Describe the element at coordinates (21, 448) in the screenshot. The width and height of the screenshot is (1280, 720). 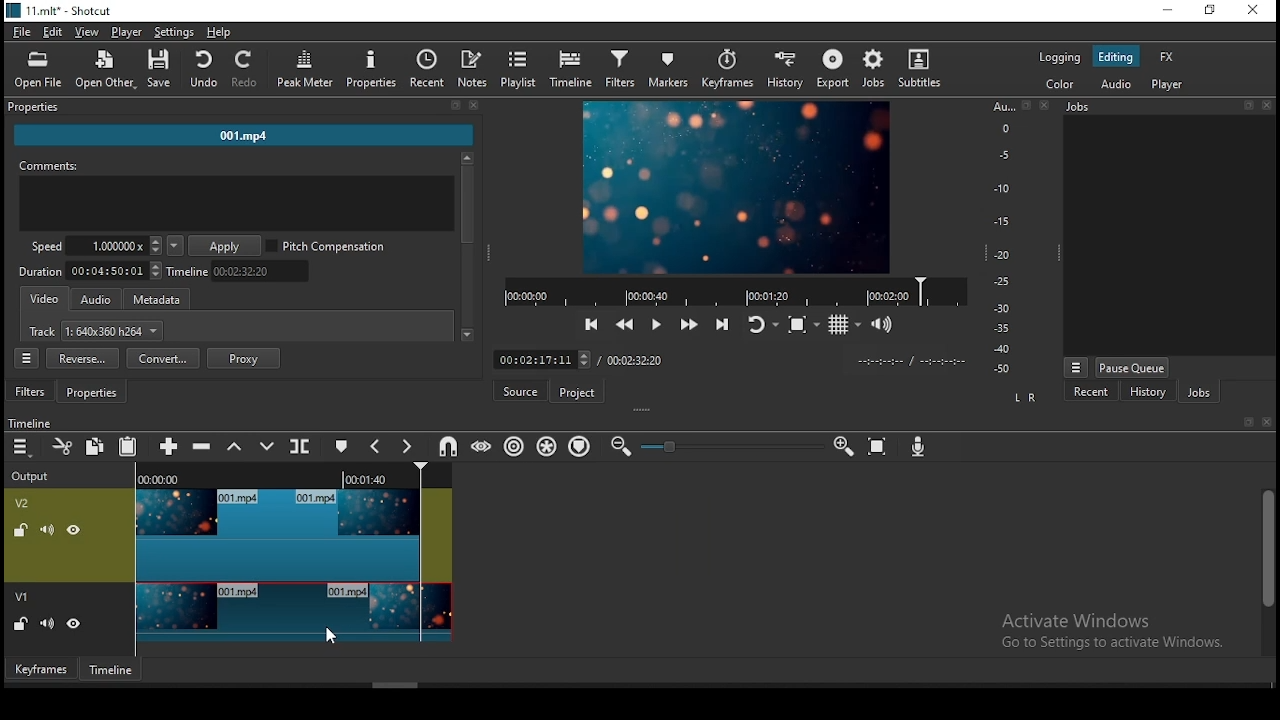
I see `timeline menu` at that location.